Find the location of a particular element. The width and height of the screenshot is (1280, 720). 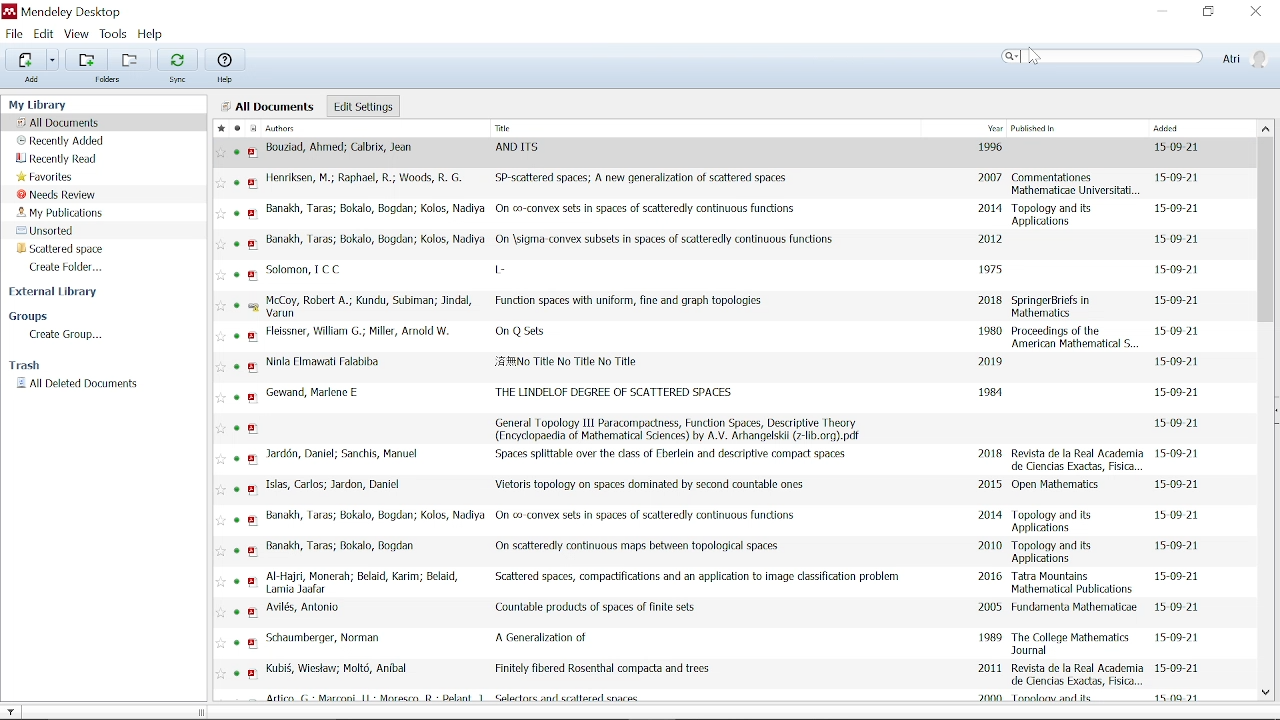

recently added is located at coordinates (62, 141).